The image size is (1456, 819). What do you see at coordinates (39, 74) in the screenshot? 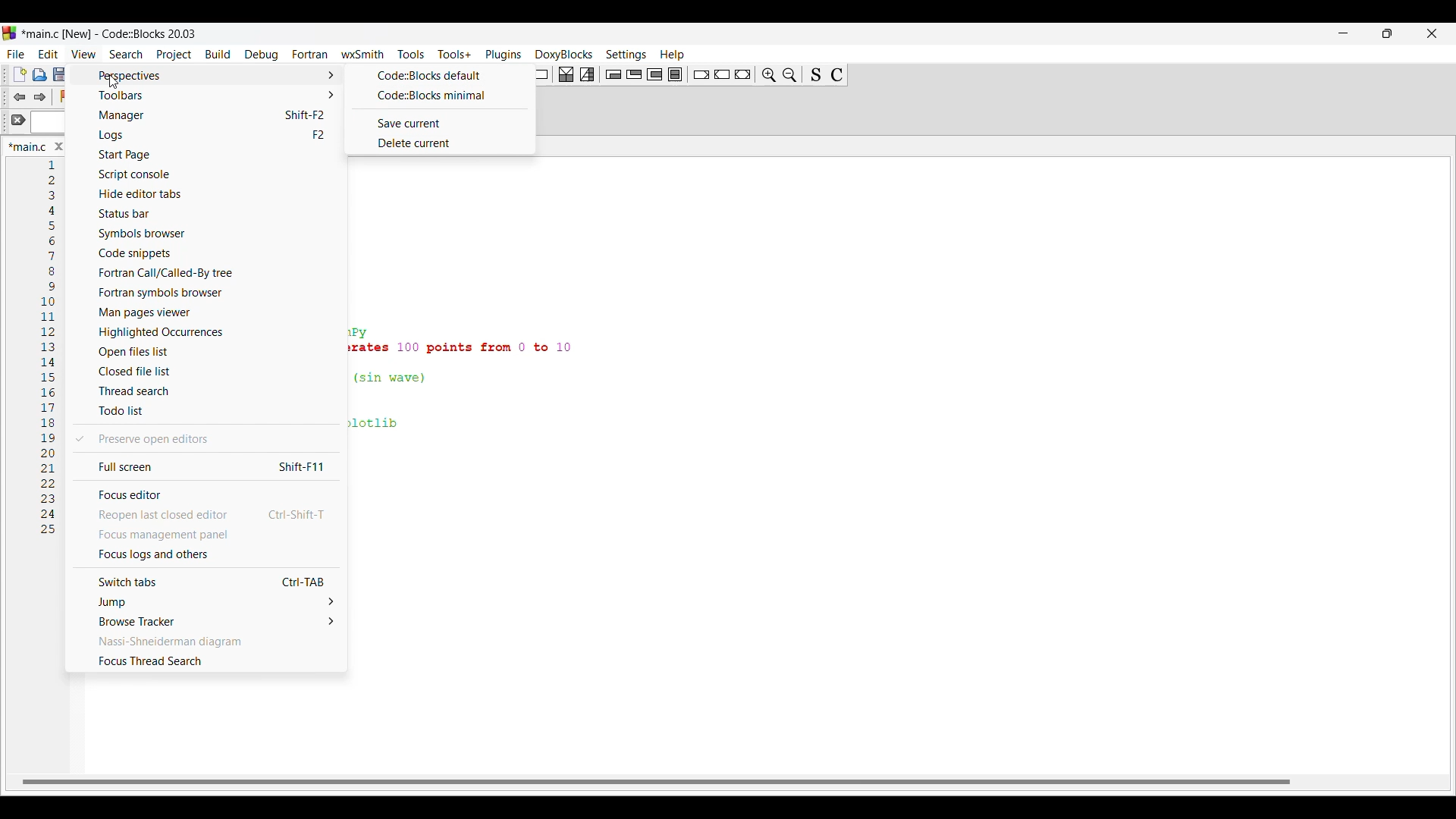
I see `Open` at bounding box center [39, 74].